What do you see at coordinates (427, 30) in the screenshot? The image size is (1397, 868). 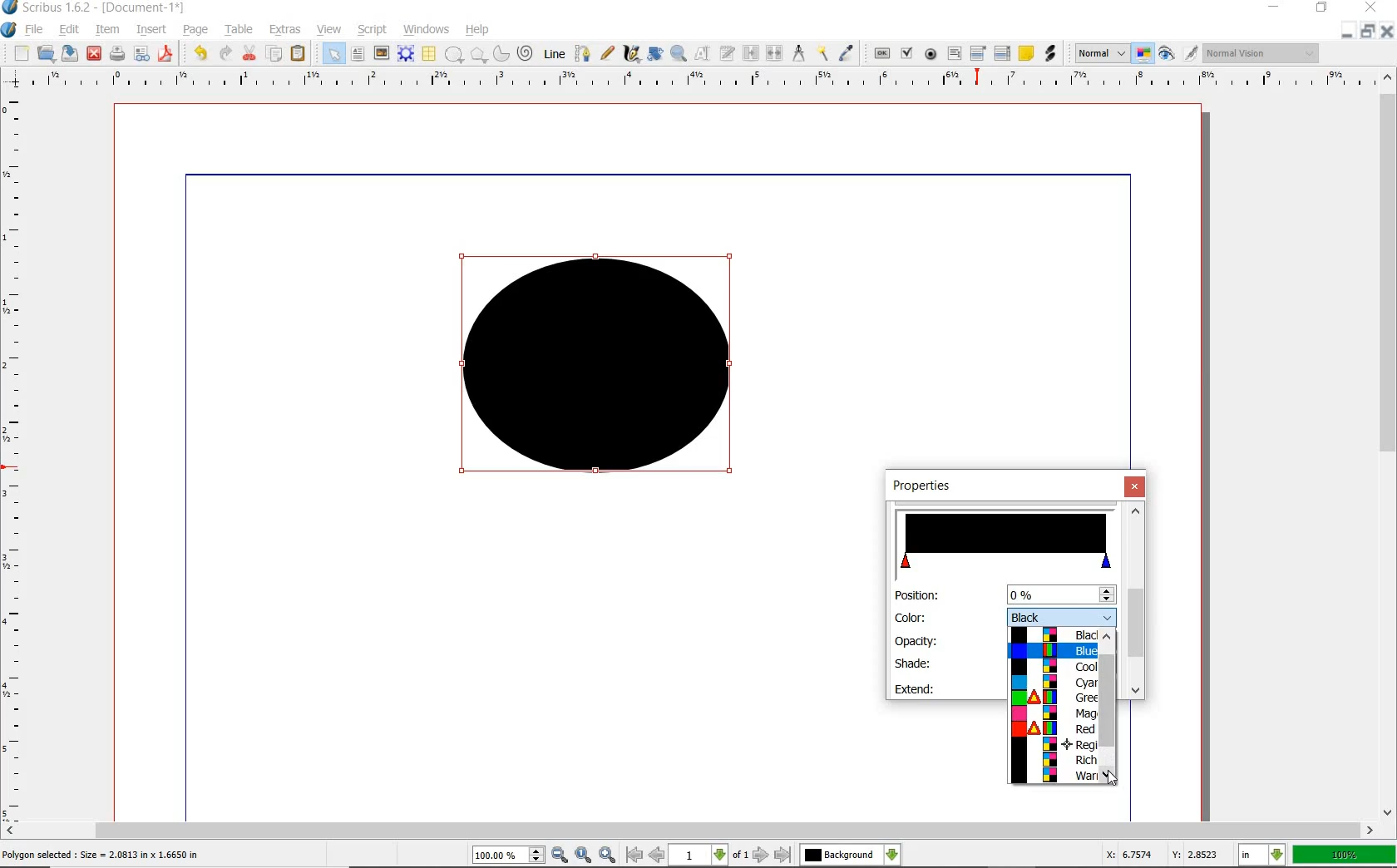 I see `WINDOWS` at bounding box center [427, 30].